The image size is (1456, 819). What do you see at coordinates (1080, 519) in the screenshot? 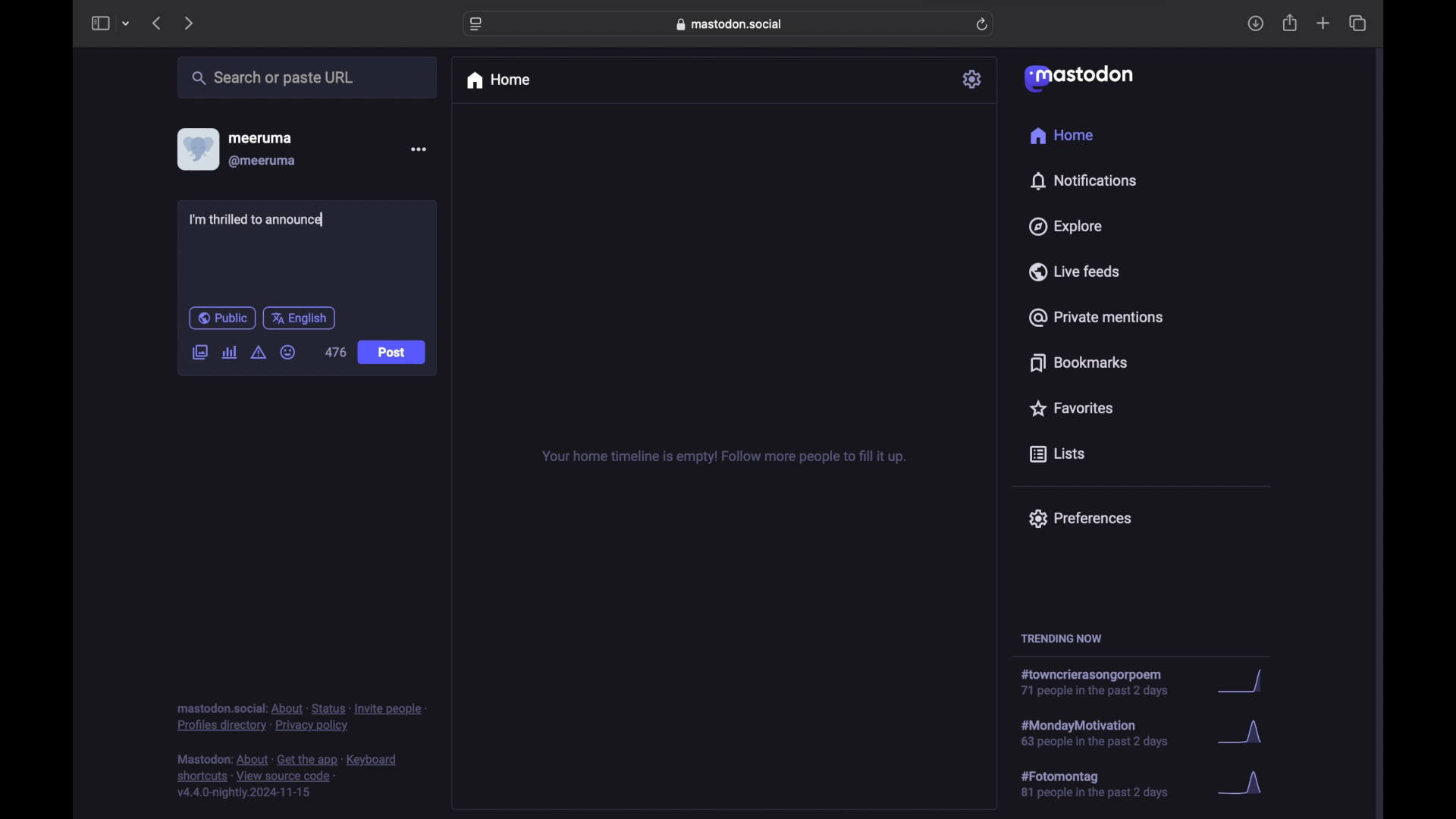
I see `preferences` at bounding box center [1080, 519].